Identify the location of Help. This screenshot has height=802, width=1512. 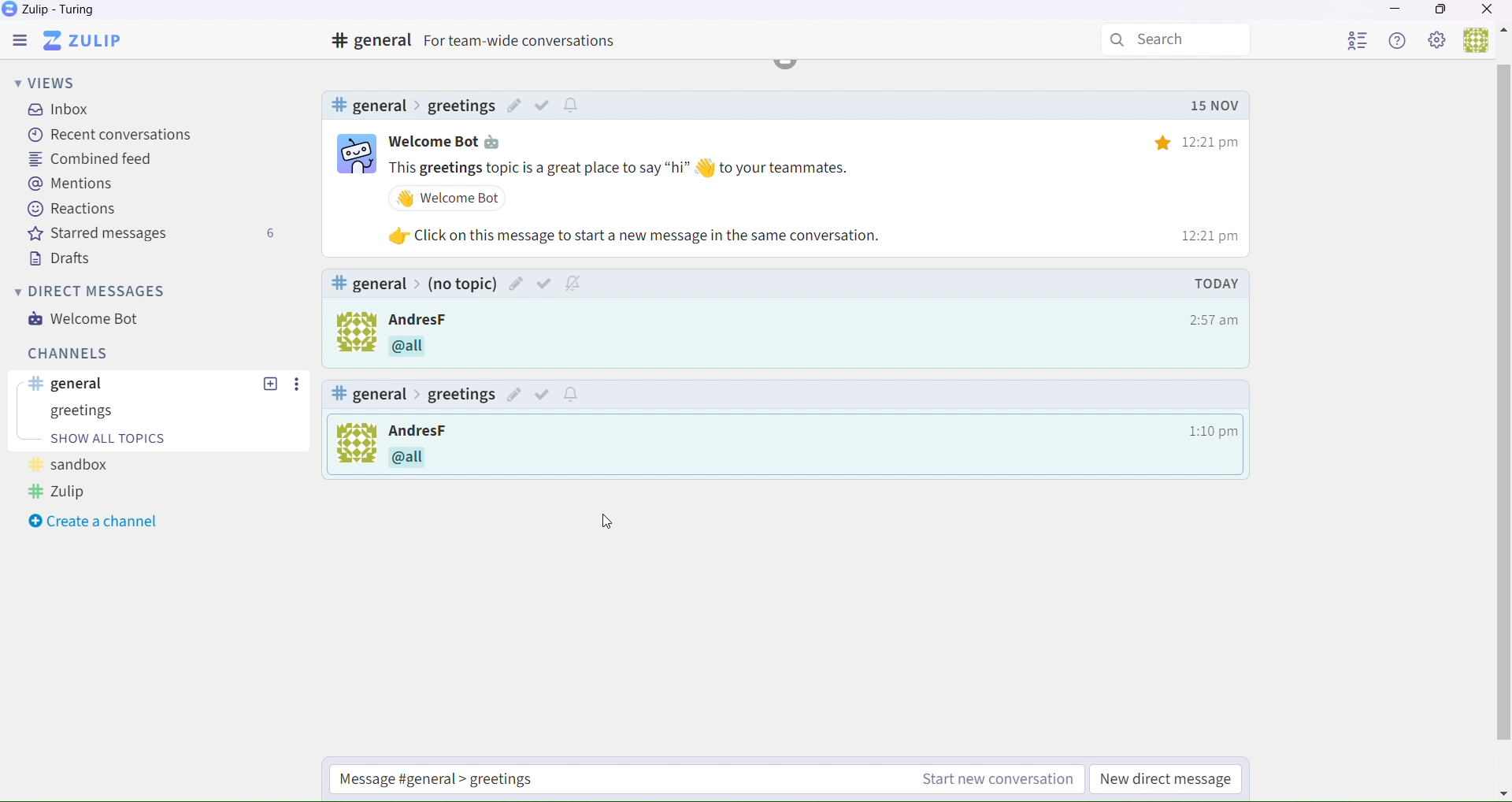
(1399, 42).